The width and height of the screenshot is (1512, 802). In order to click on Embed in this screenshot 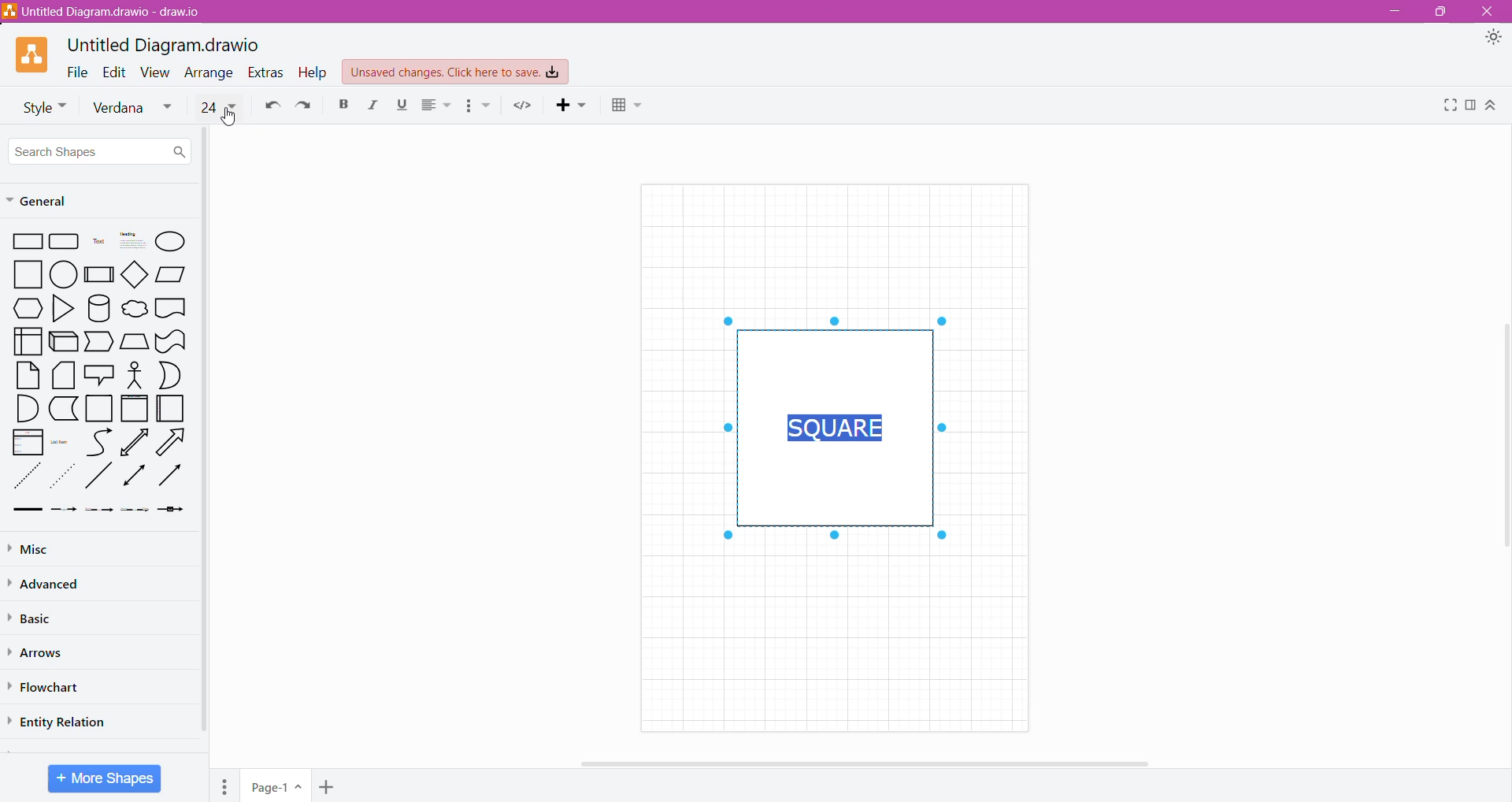, I will do `click(521, 106)`.